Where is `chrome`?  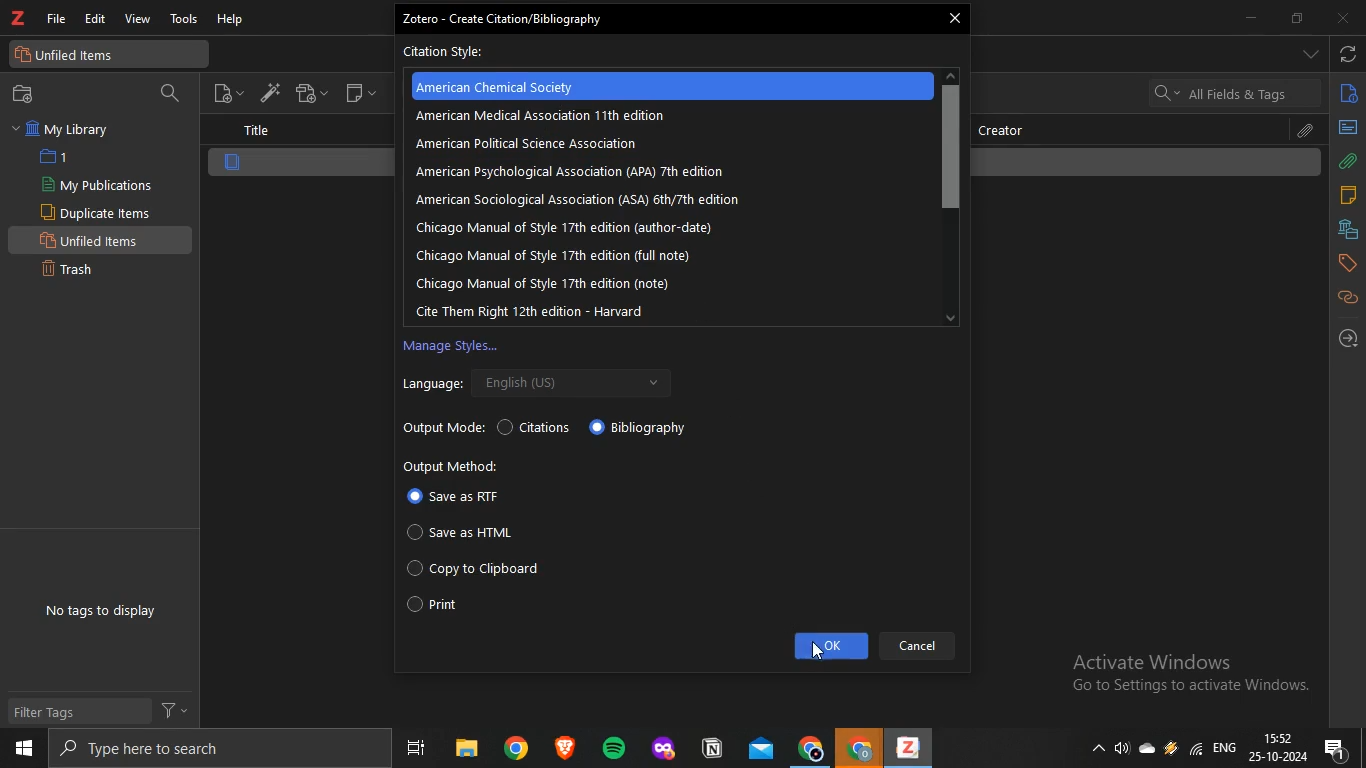 chrome is located at coordinates (812, 747).